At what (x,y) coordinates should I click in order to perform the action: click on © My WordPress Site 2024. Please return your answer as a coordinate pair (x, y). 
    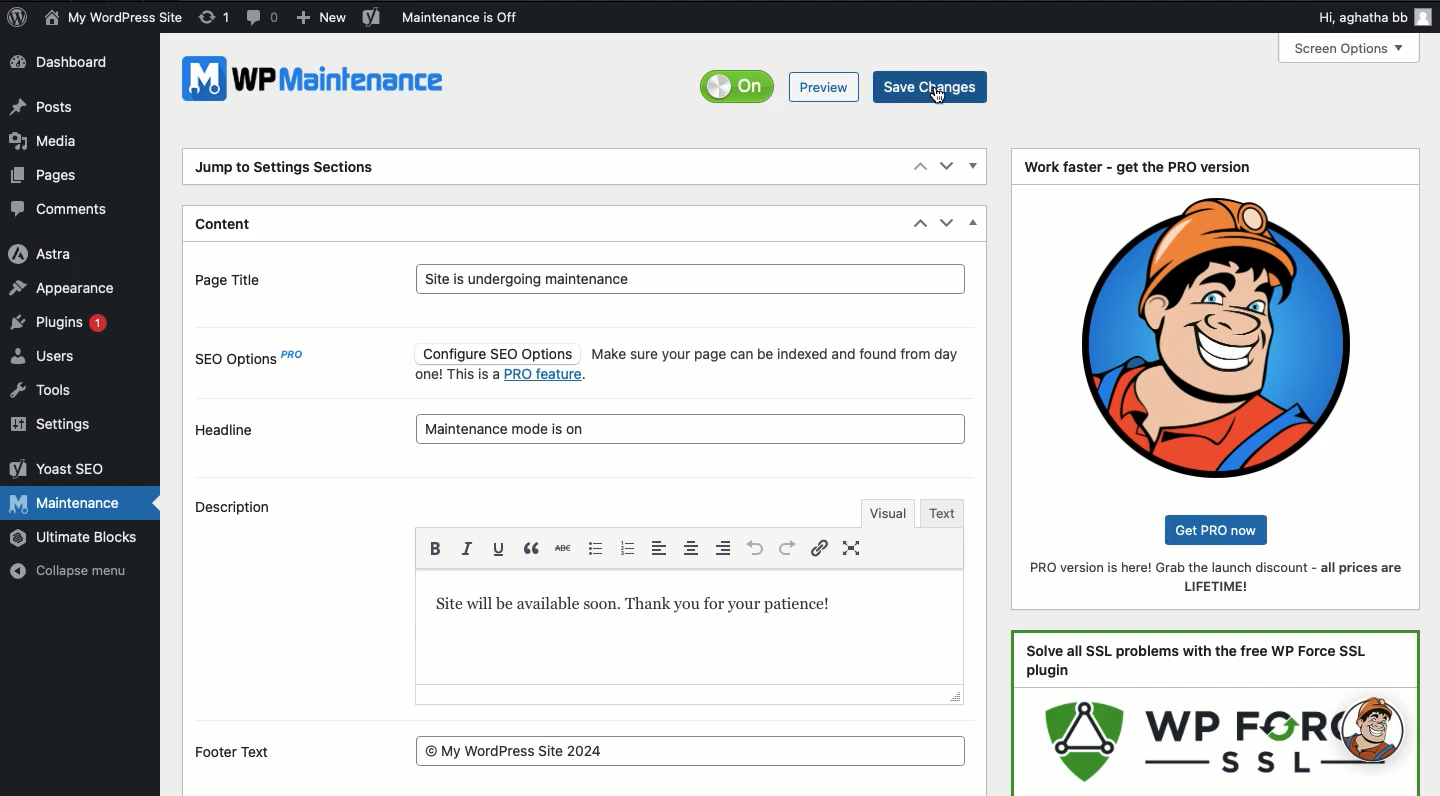
    Looking at the image, I should click on (692, 750).